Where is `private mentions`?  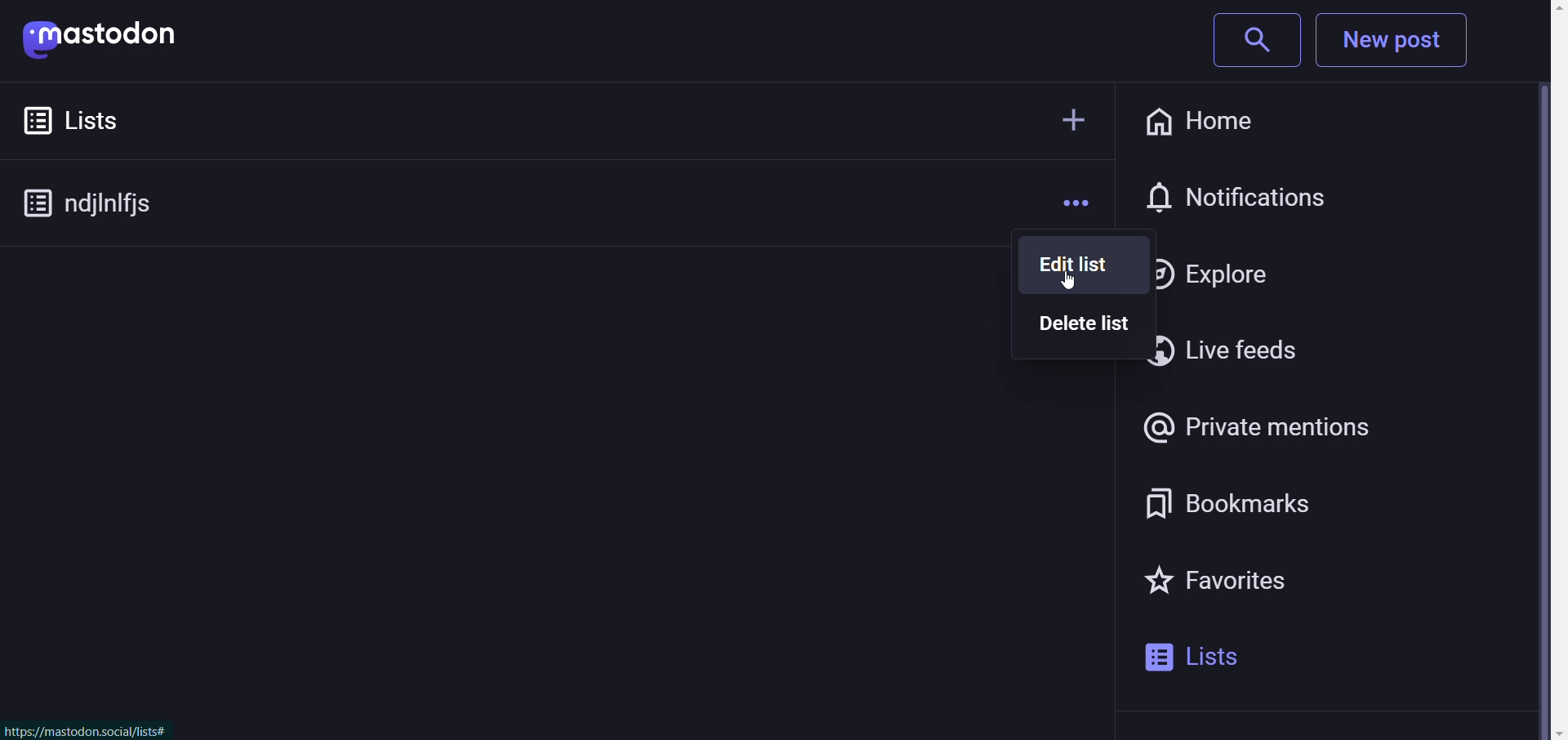
private mentions is located at coordinates (1267, 426).